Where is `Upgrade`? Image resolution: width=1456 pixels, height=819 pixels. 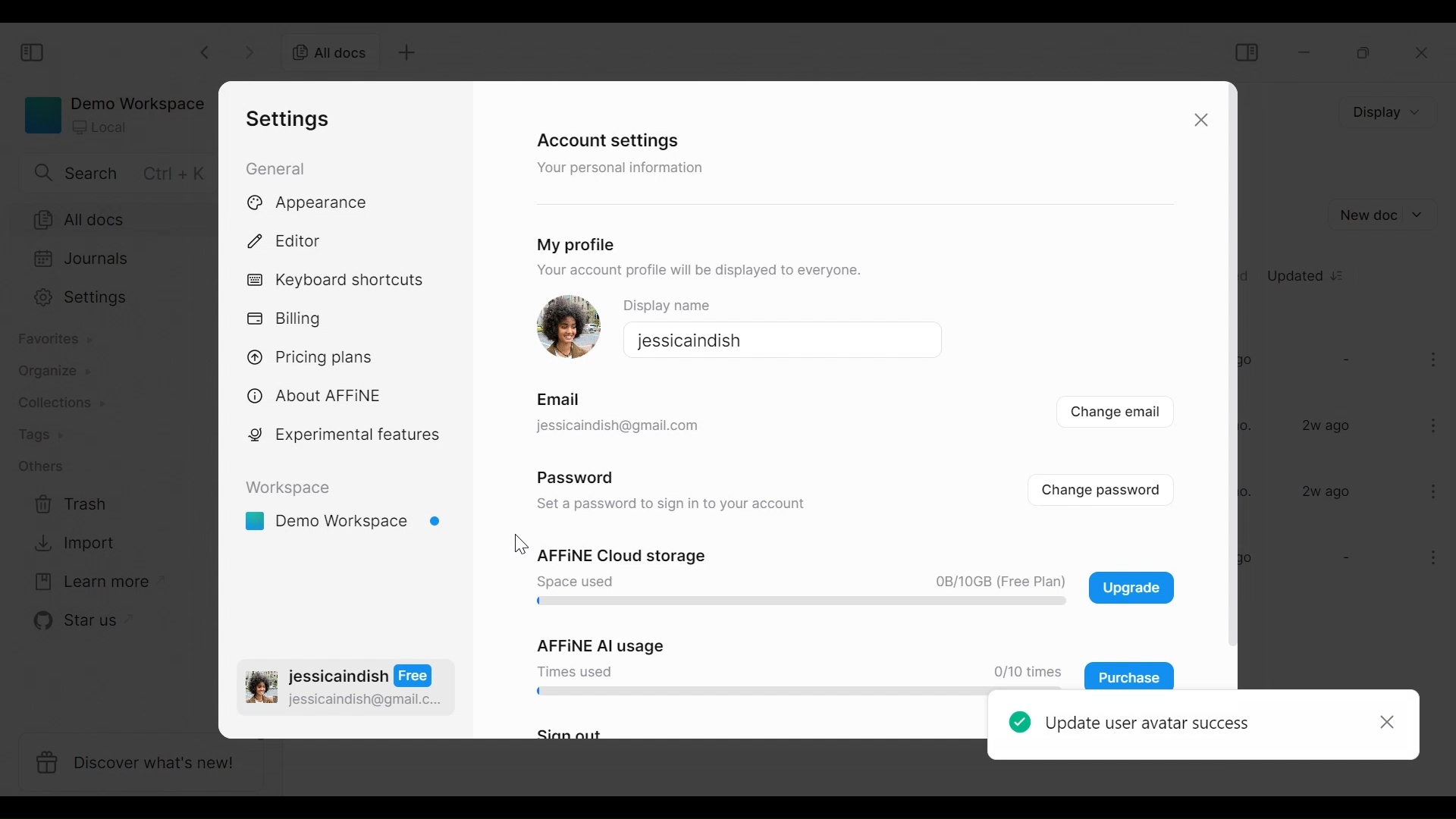 Upgrade is located at coordinates (1131, 587).